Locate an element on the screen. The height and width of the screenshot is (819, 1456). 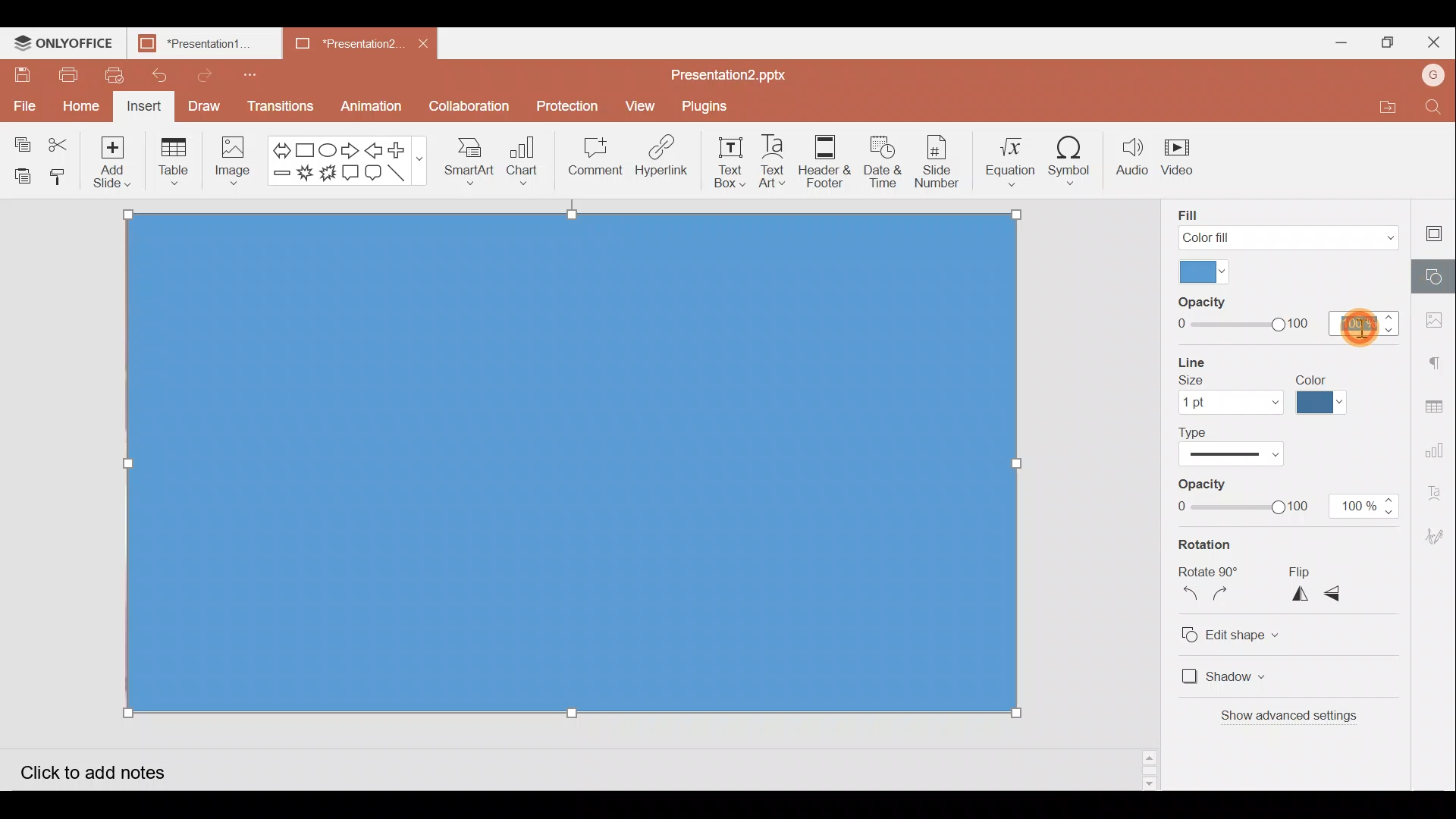
Copy style is located at coordinates (61, 176).